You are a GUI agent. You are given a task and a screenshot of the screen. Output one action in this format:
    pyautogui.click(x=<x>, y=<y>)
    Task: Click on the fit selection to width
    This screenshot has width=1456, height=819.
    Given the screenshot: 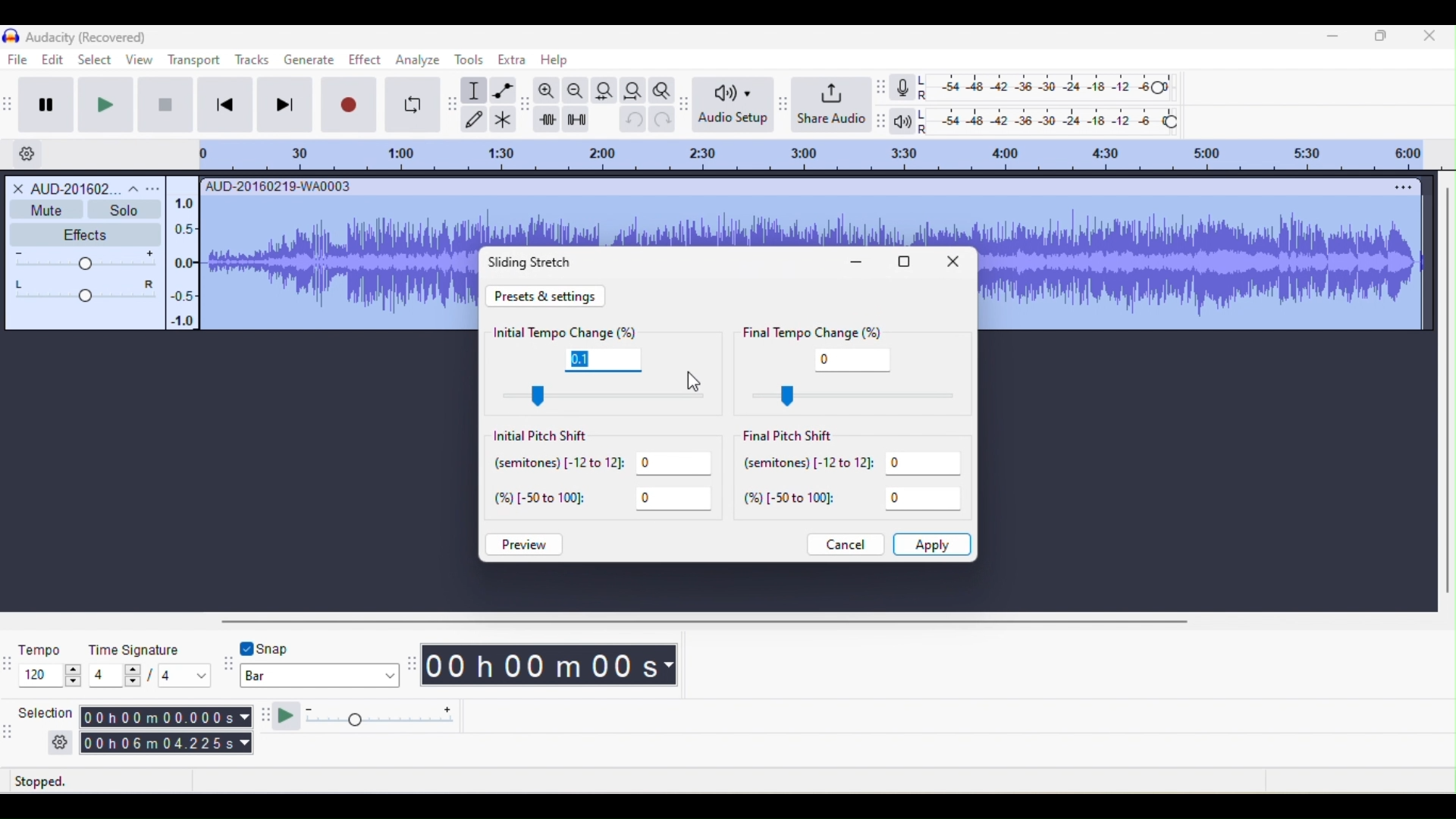 What is the action you would take?
    pyautogui.click(x=604, y=89)
    